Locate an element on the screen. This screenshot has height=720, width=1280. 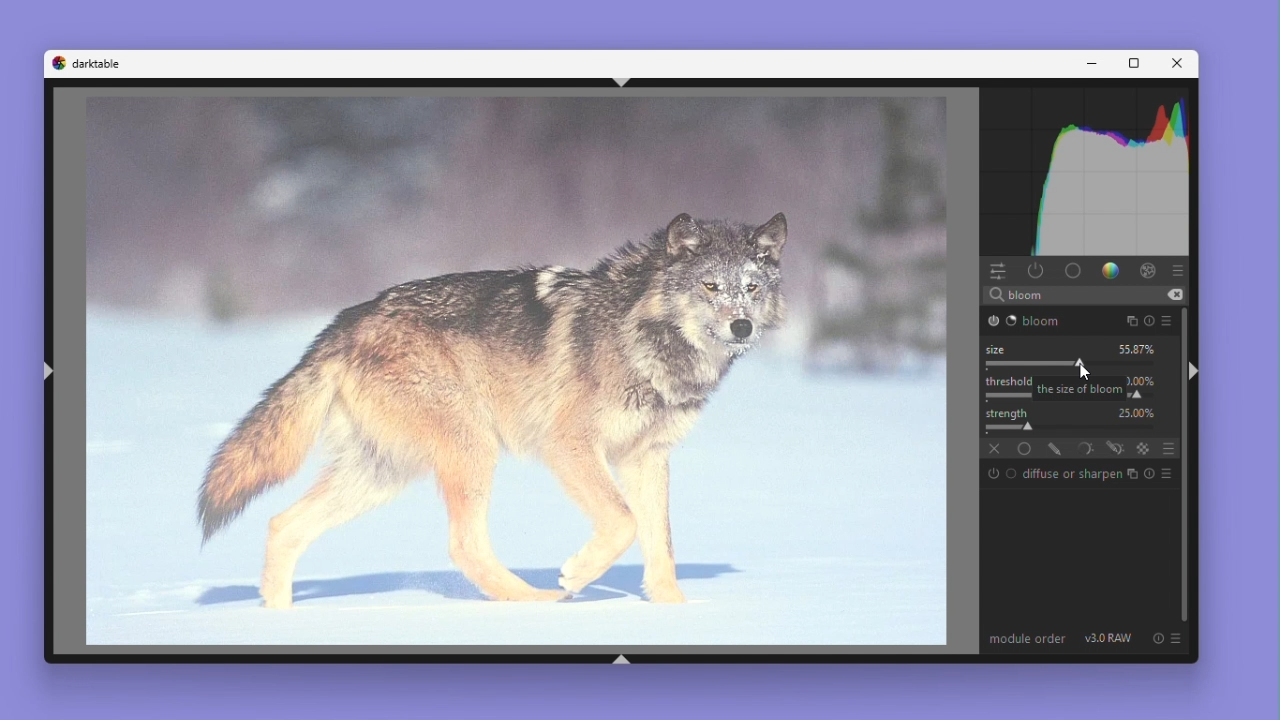
adjustment slider is located at coordinates (1075, 365).